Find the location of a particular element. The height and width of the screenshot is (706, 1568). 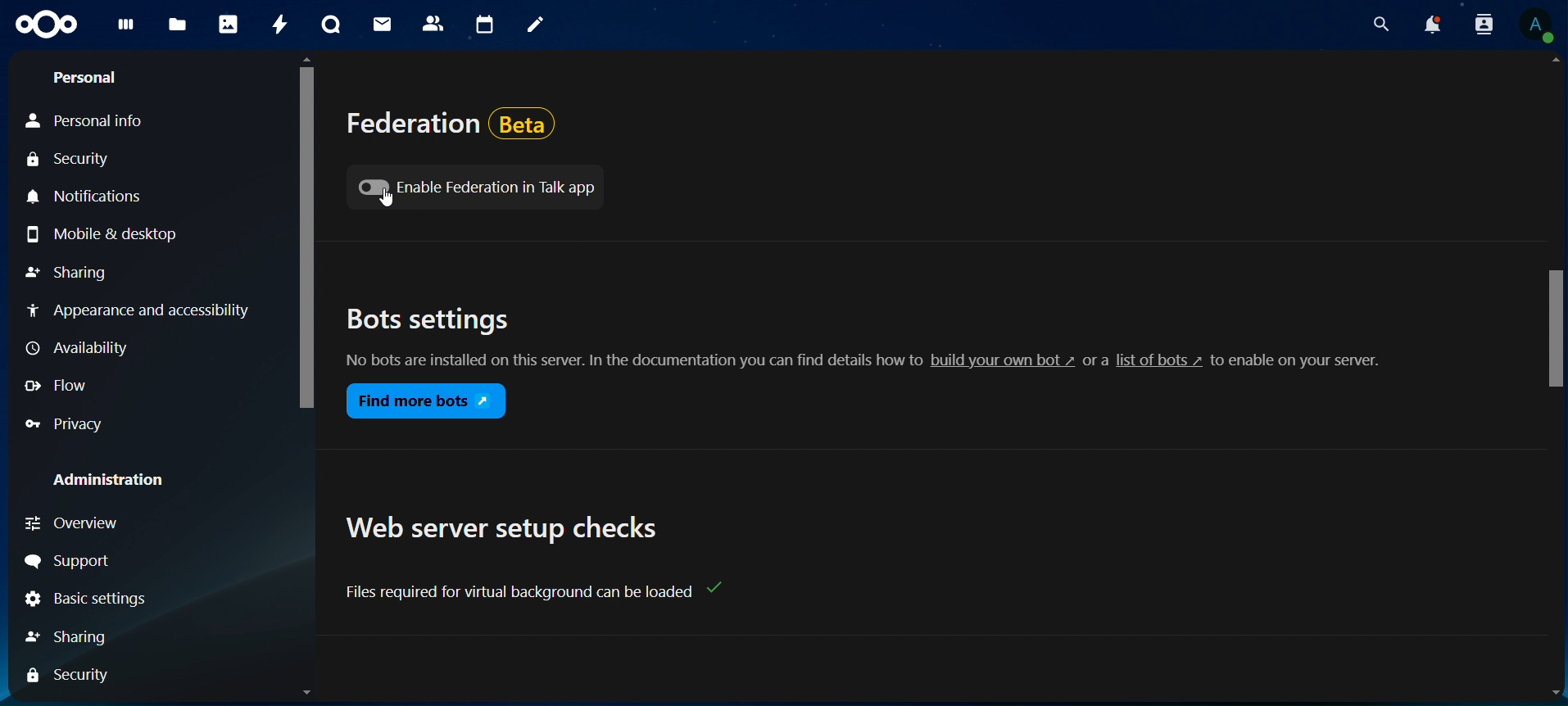

web server setup checks is located at coordinates (503, 526).